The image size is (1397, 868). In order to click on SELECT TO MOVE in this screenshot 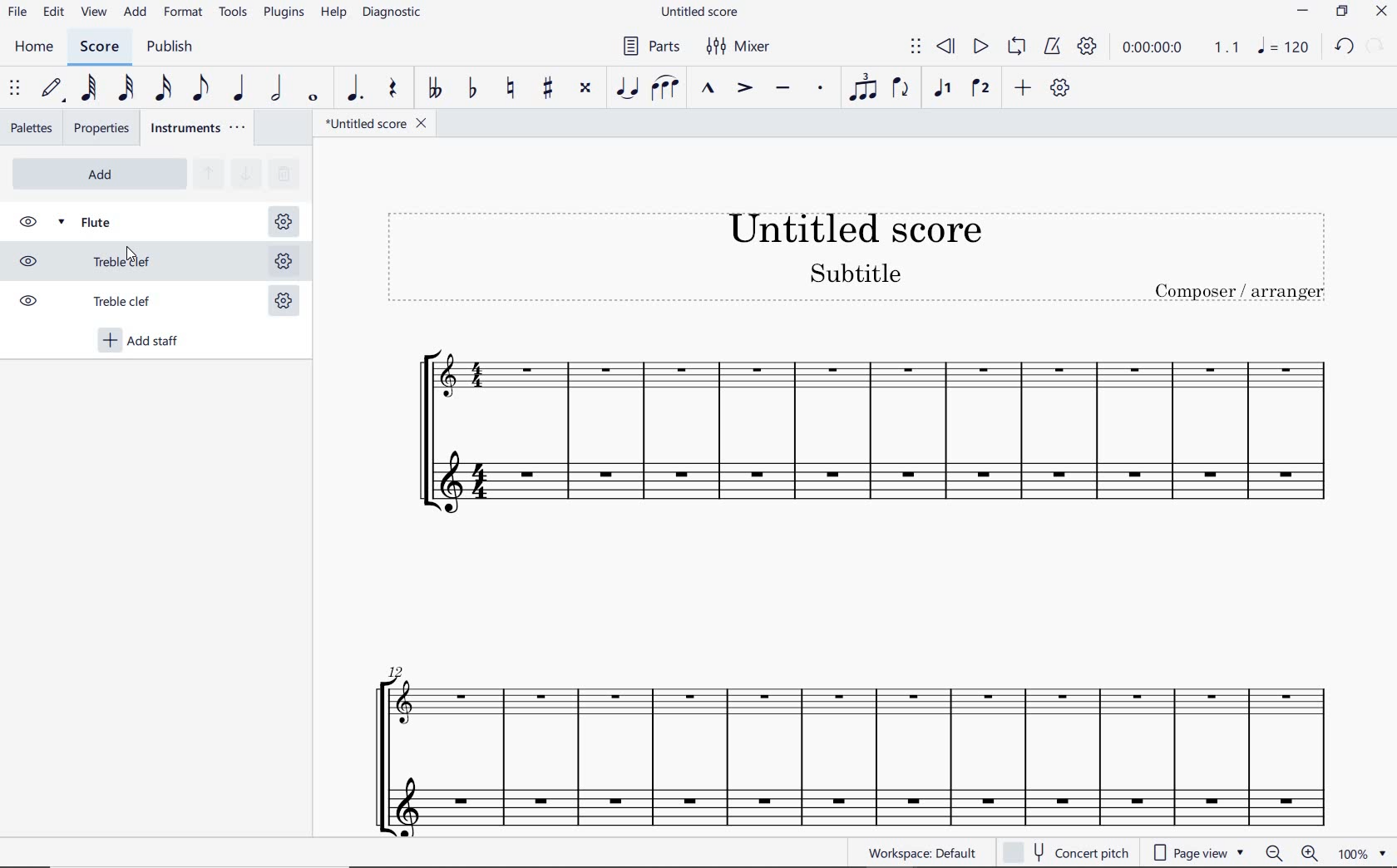, I will do `click(15, 91)`.